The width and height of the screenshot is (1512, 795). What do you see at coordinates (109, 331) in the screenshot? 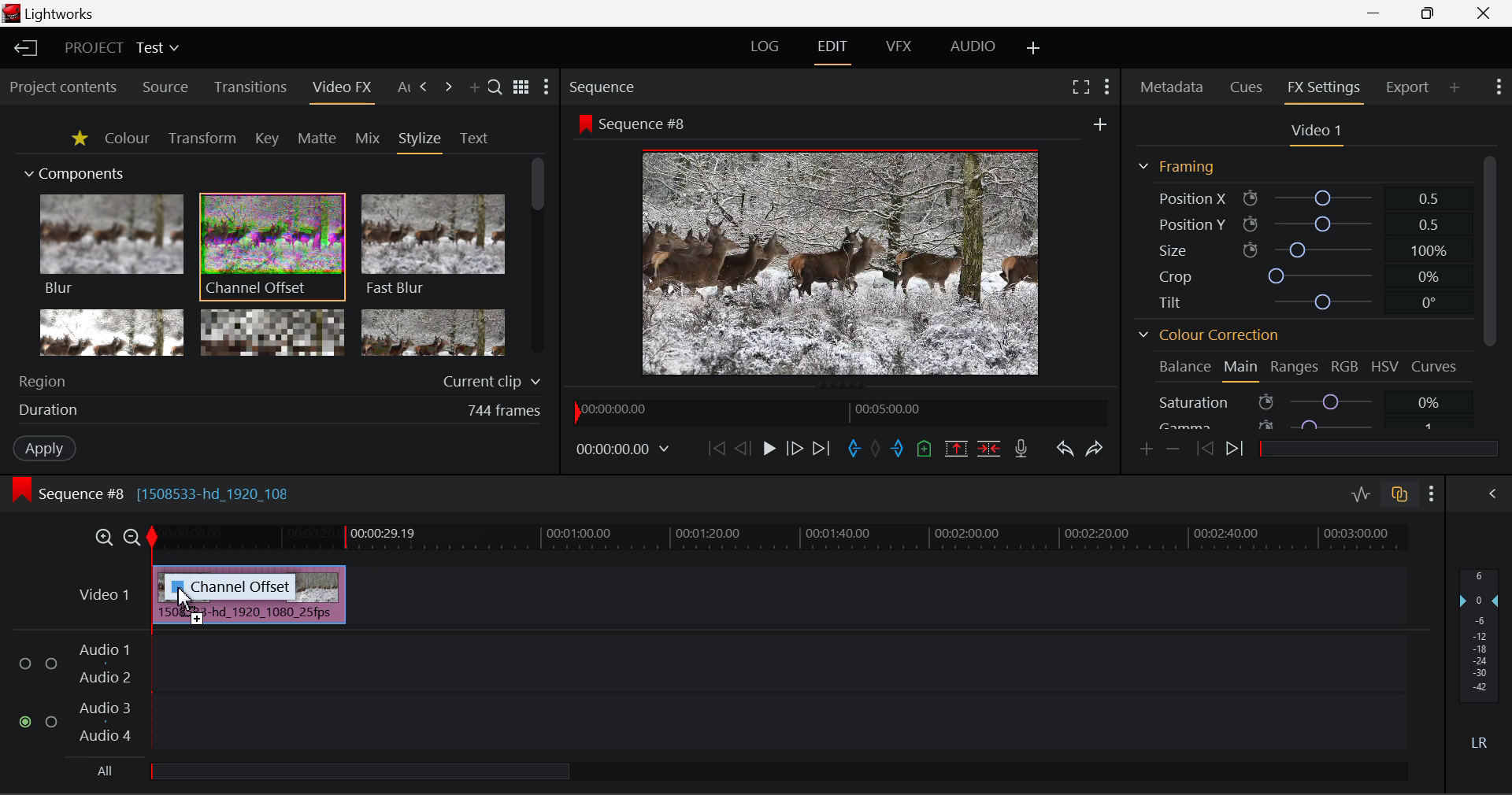
I see `Glow` at bounding box center [109, 331].